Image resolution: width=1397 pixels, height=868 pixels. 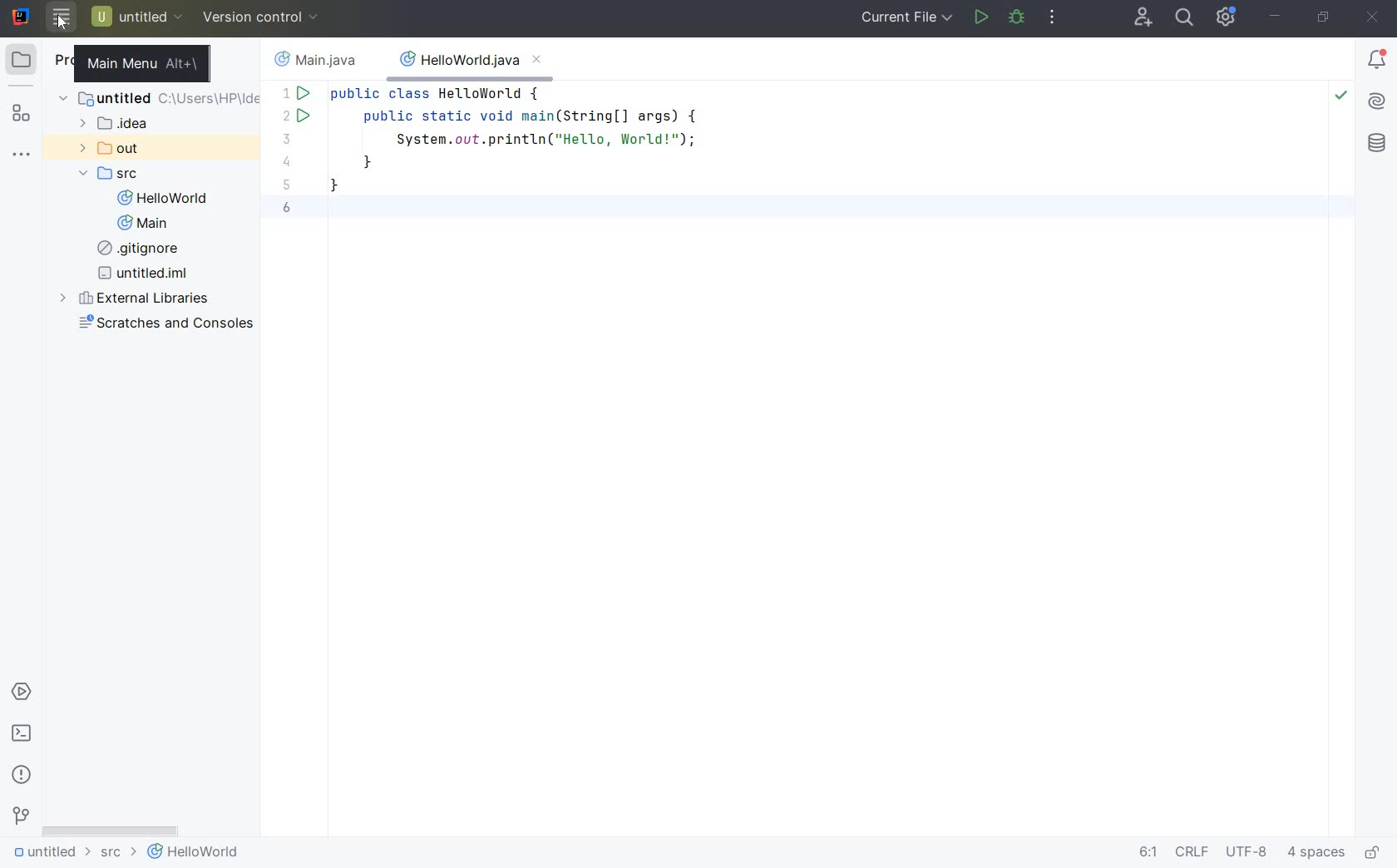 What do you see at coordinates (467, 64) in the screenshot?
I see `filename` at bounding box center [467, 64].